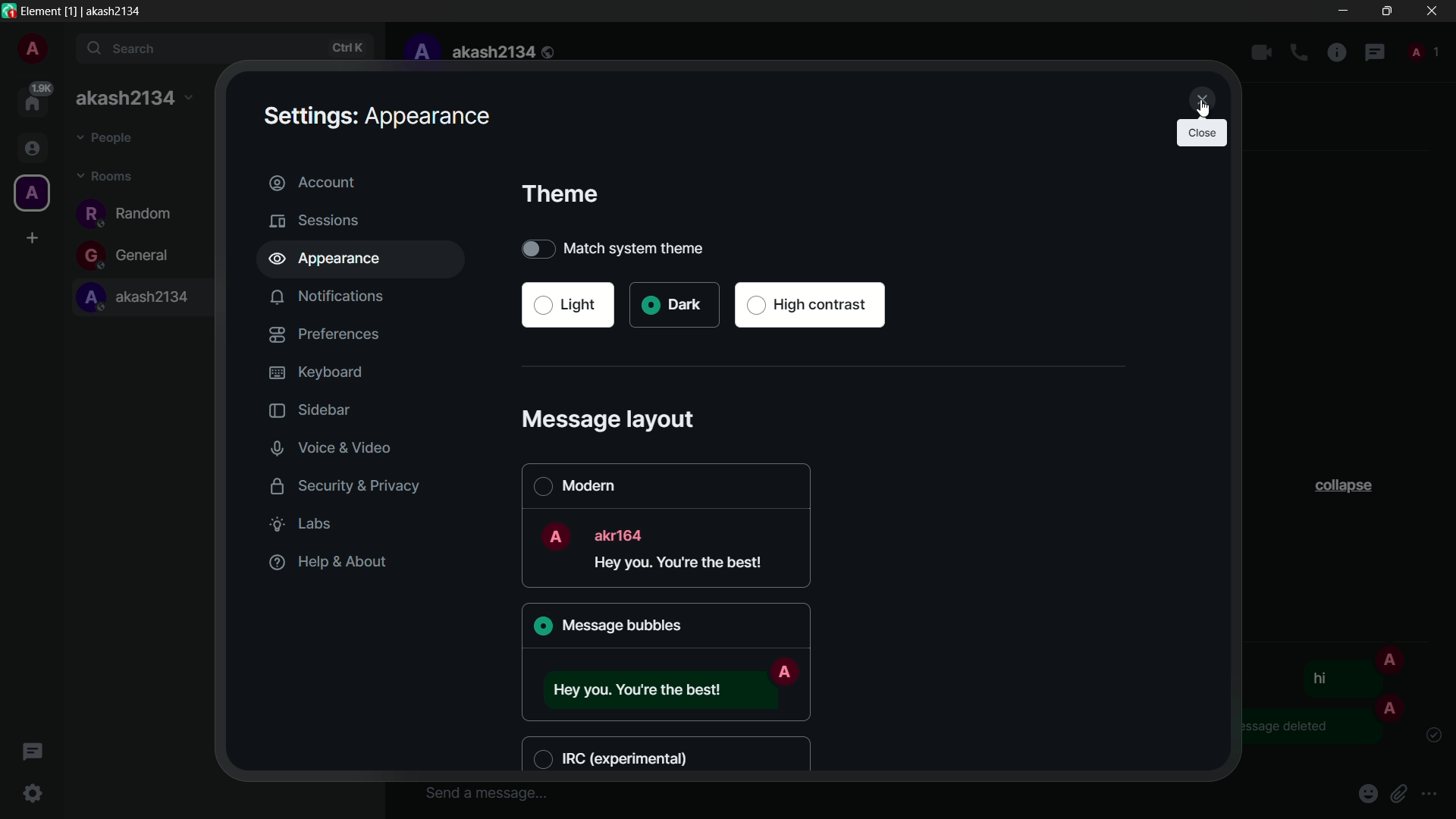 This screenshot has width=1456, height=819. What do you see at coordinates (1402, 793) in the screenshot?
I see `attach` at bounding box center [1402, 793].